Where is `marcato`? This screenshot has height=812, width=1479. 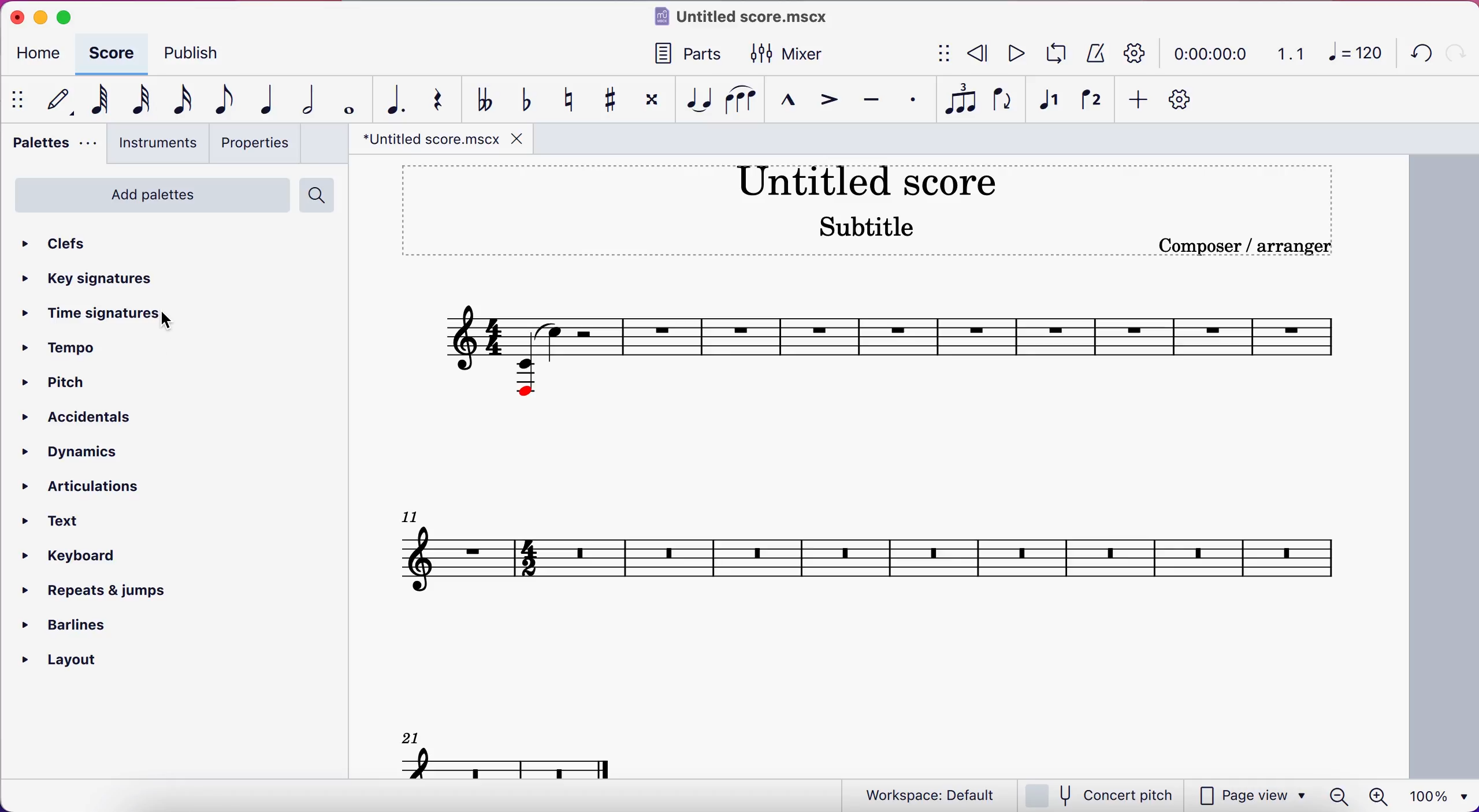 marcato is located at coordinates (786, 100).